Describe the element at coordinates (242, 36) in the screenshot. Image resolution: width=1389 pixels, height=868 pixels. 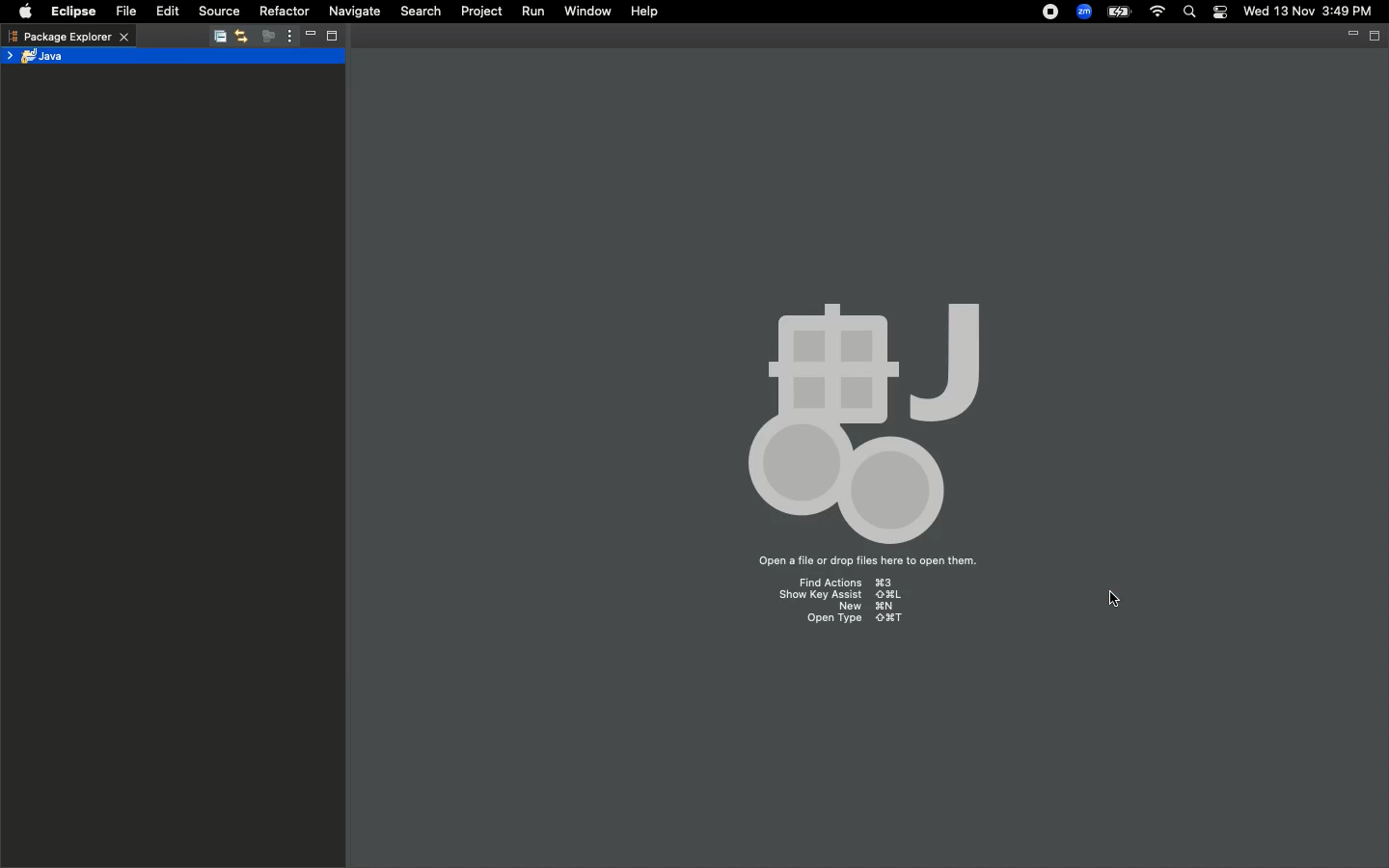
I see `Link with editor` at that location.